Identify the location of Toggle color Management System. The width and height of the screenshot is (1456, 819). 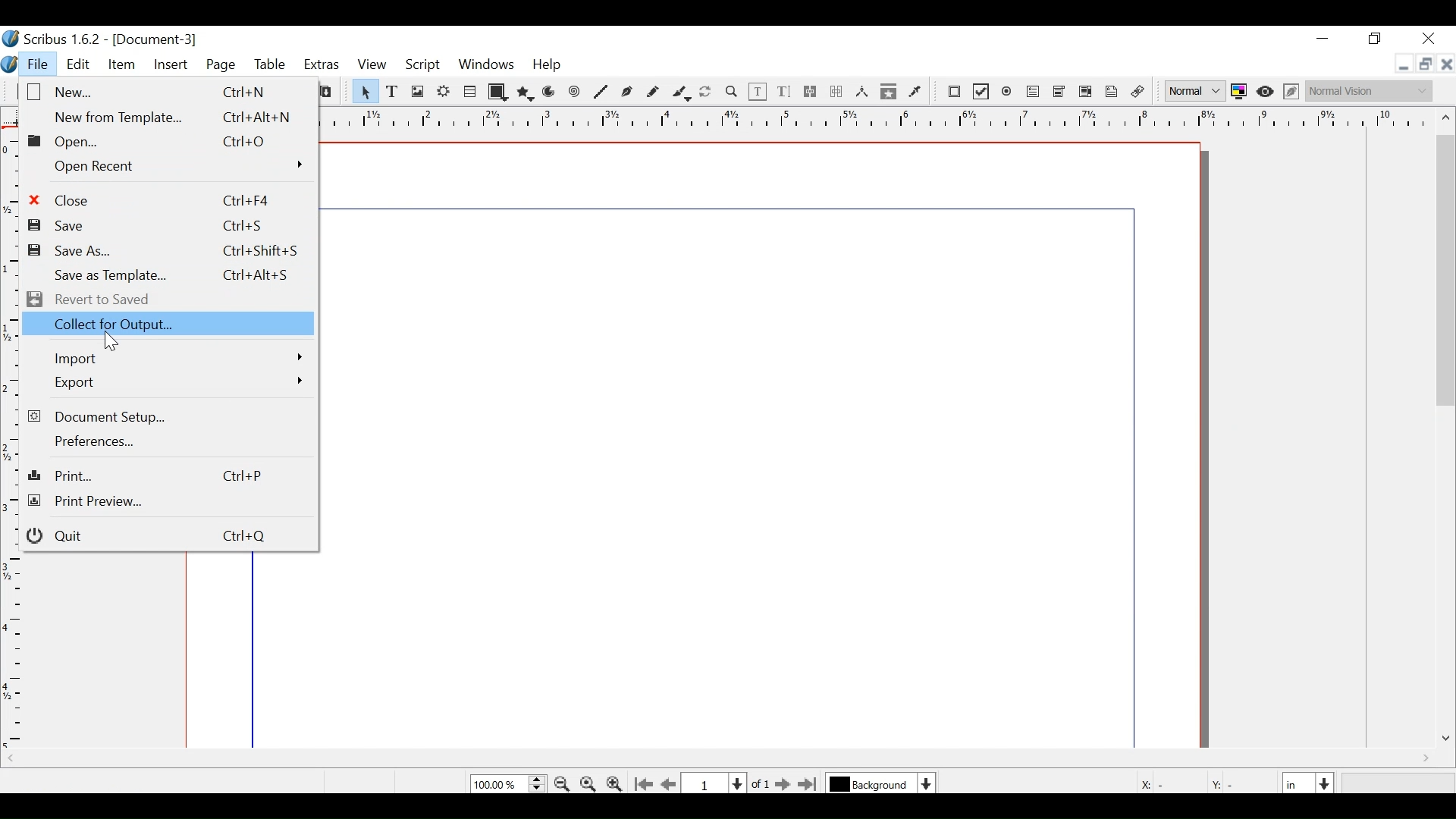
(1239, 93).